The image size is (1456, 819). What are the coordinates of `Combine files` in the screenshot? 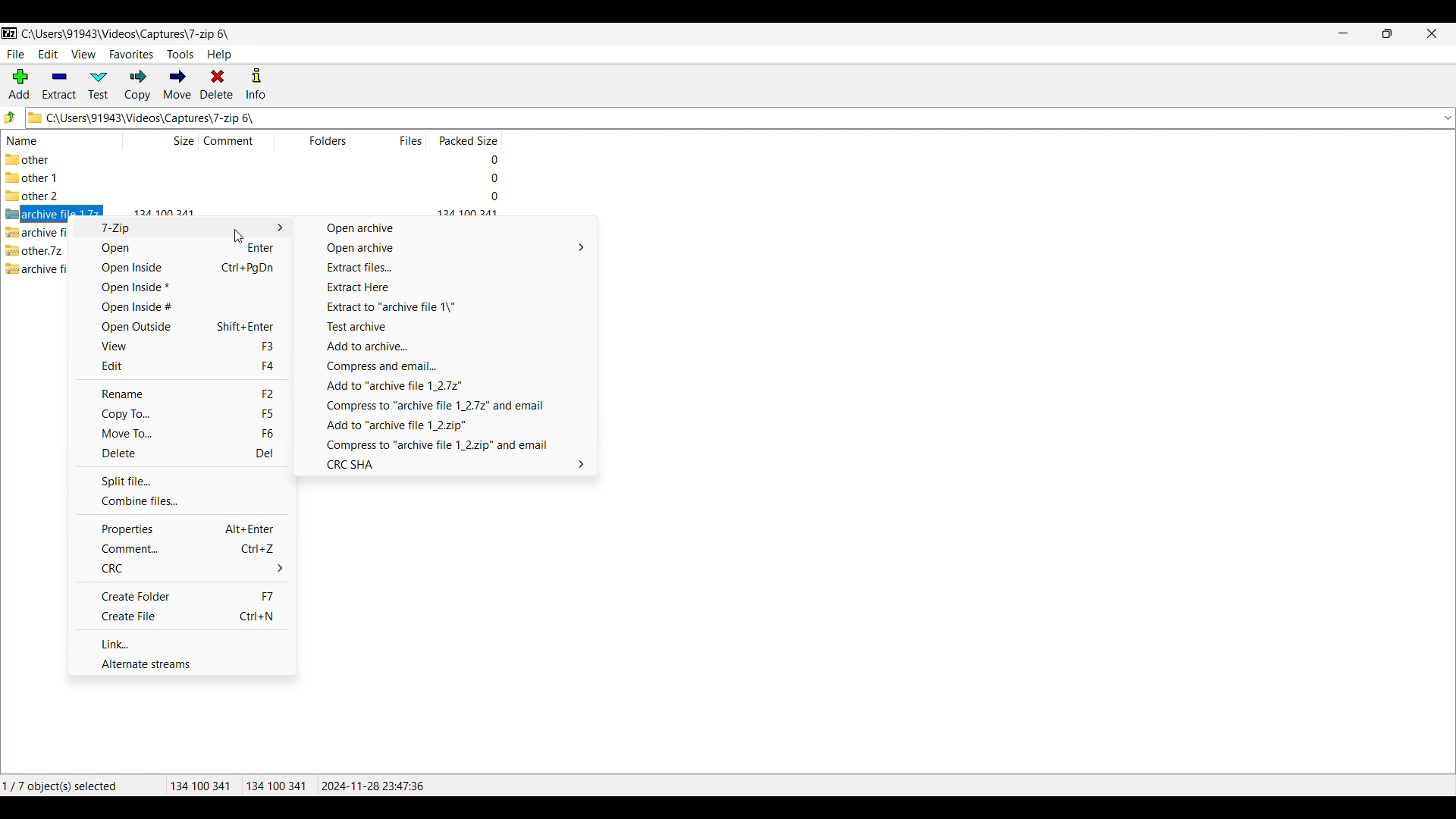 It's located at (180, 501).